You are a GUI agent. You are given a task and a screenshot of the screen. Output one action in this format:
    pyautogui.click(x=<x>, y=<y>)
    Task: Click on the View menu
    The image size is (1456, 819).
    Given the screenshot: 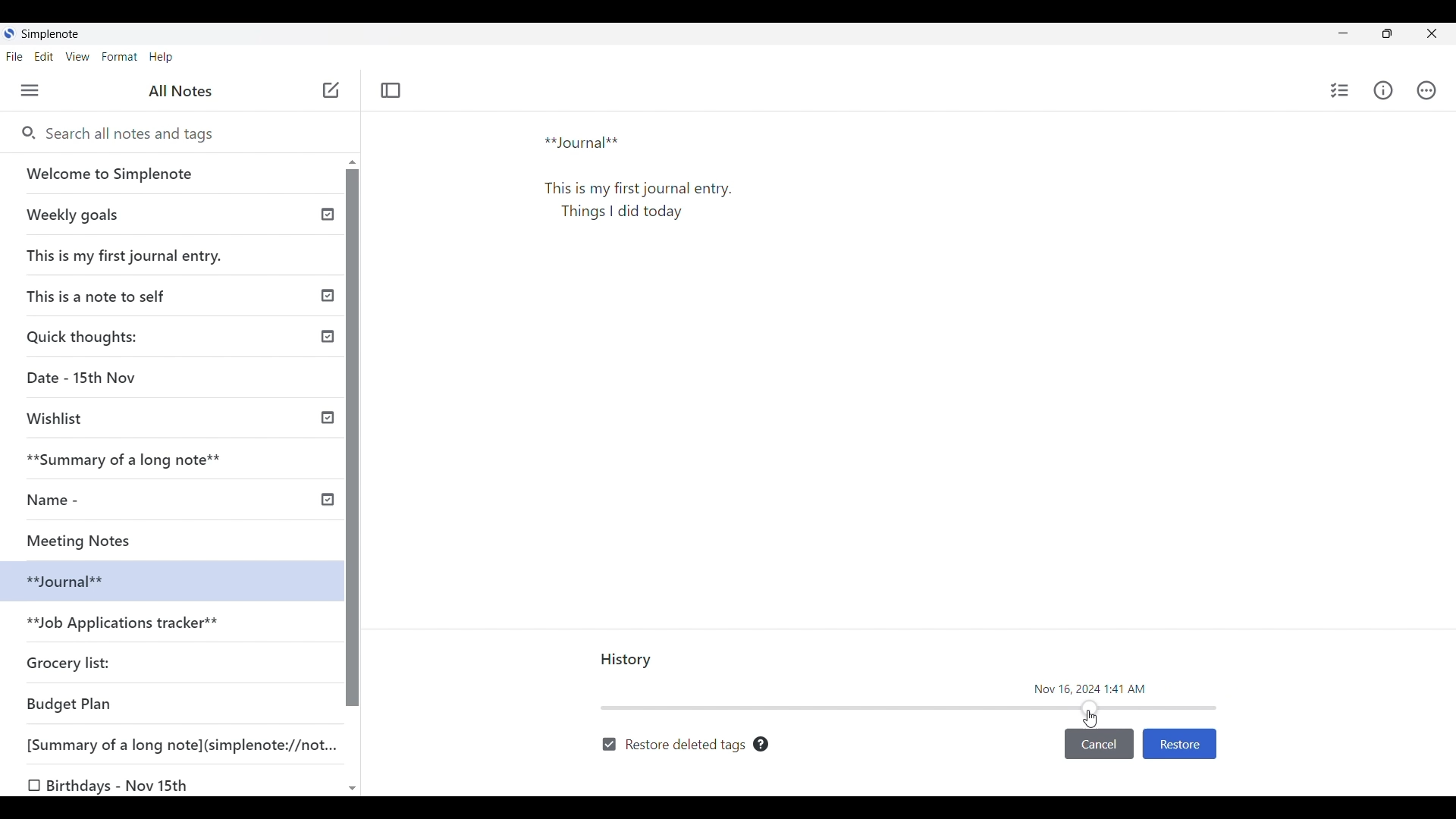 What is the action you would take?
    pyautogui.click(x=78, y=57)
    